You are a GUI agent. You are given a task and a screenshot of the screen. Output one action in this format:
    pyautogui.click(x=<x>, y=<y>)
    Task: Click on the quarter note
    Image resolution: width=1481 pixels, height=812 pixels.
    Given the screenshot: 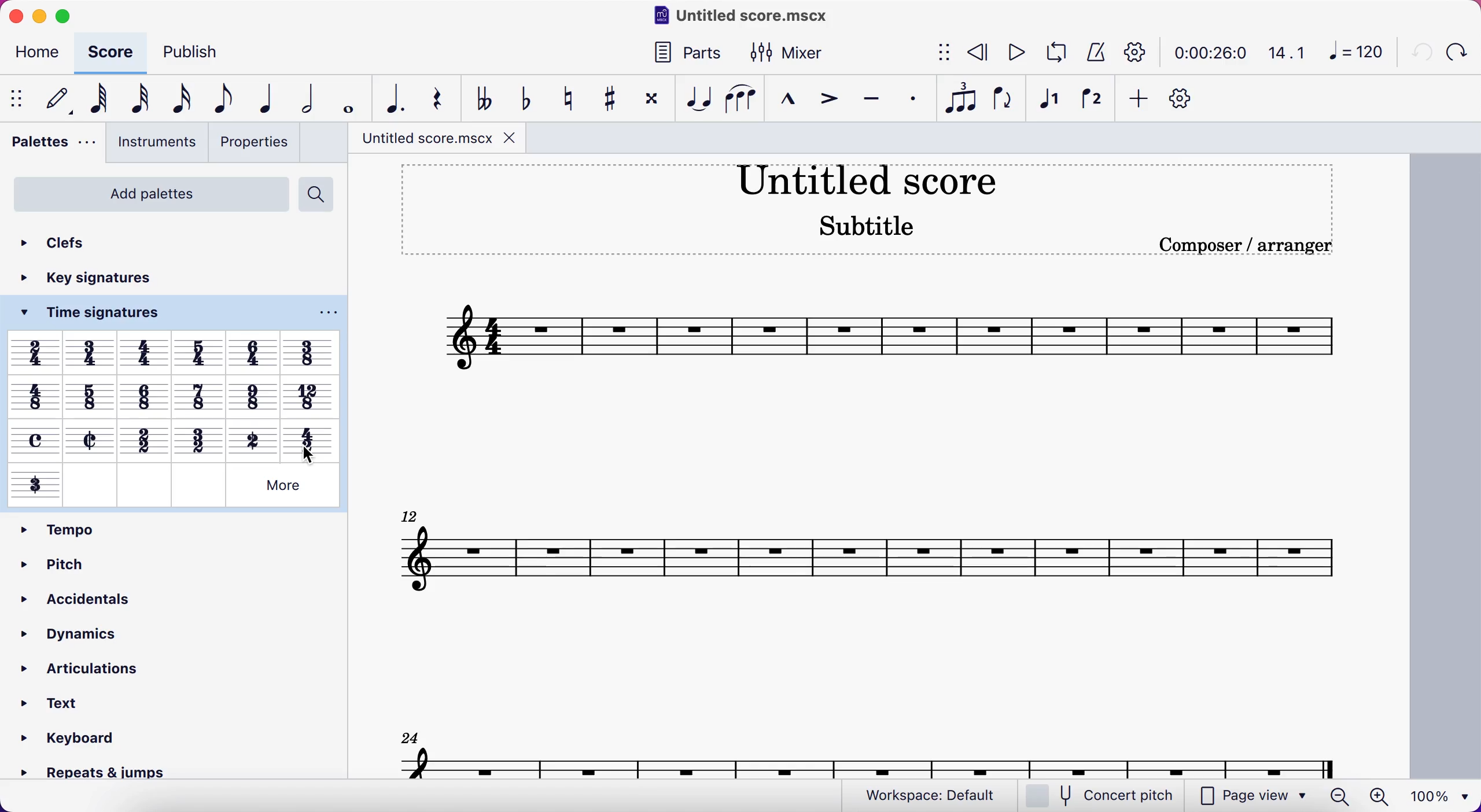 What is the action you would take?
    pyautogui.click(x=261, y=98)
    